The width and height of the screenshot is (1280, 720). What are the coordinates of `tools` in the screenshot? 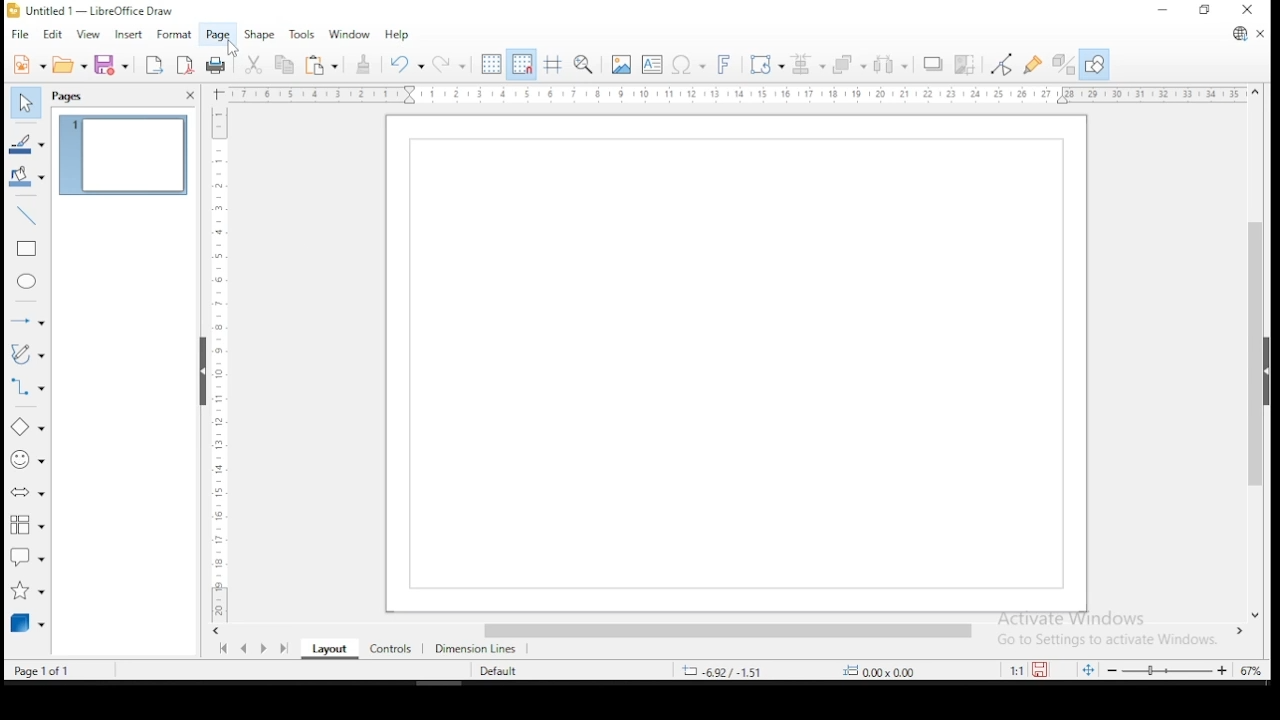 It's located at (303, 33).